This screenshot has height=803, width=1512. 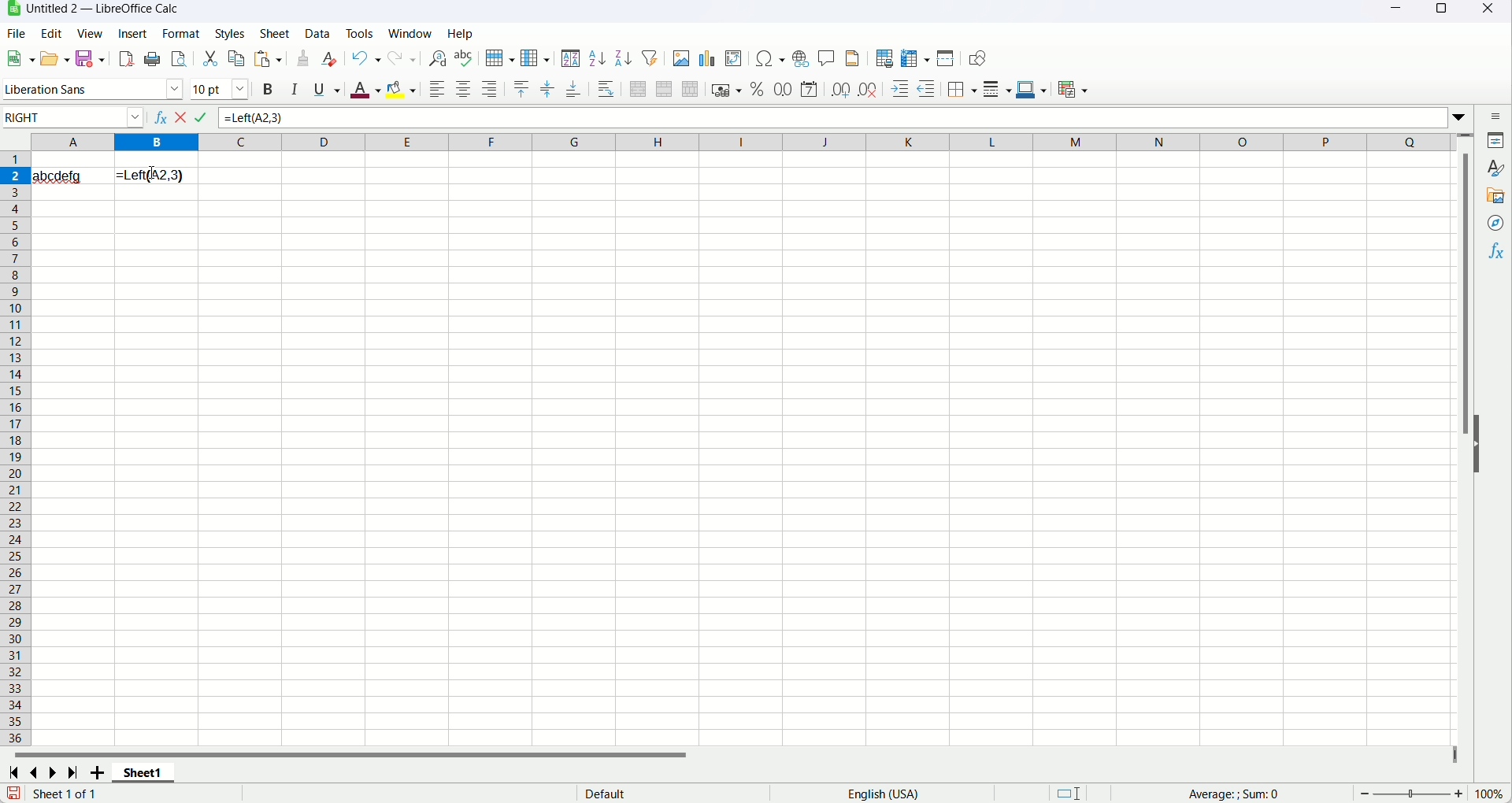 I want to click on print preview, so click(x=177, y=59).